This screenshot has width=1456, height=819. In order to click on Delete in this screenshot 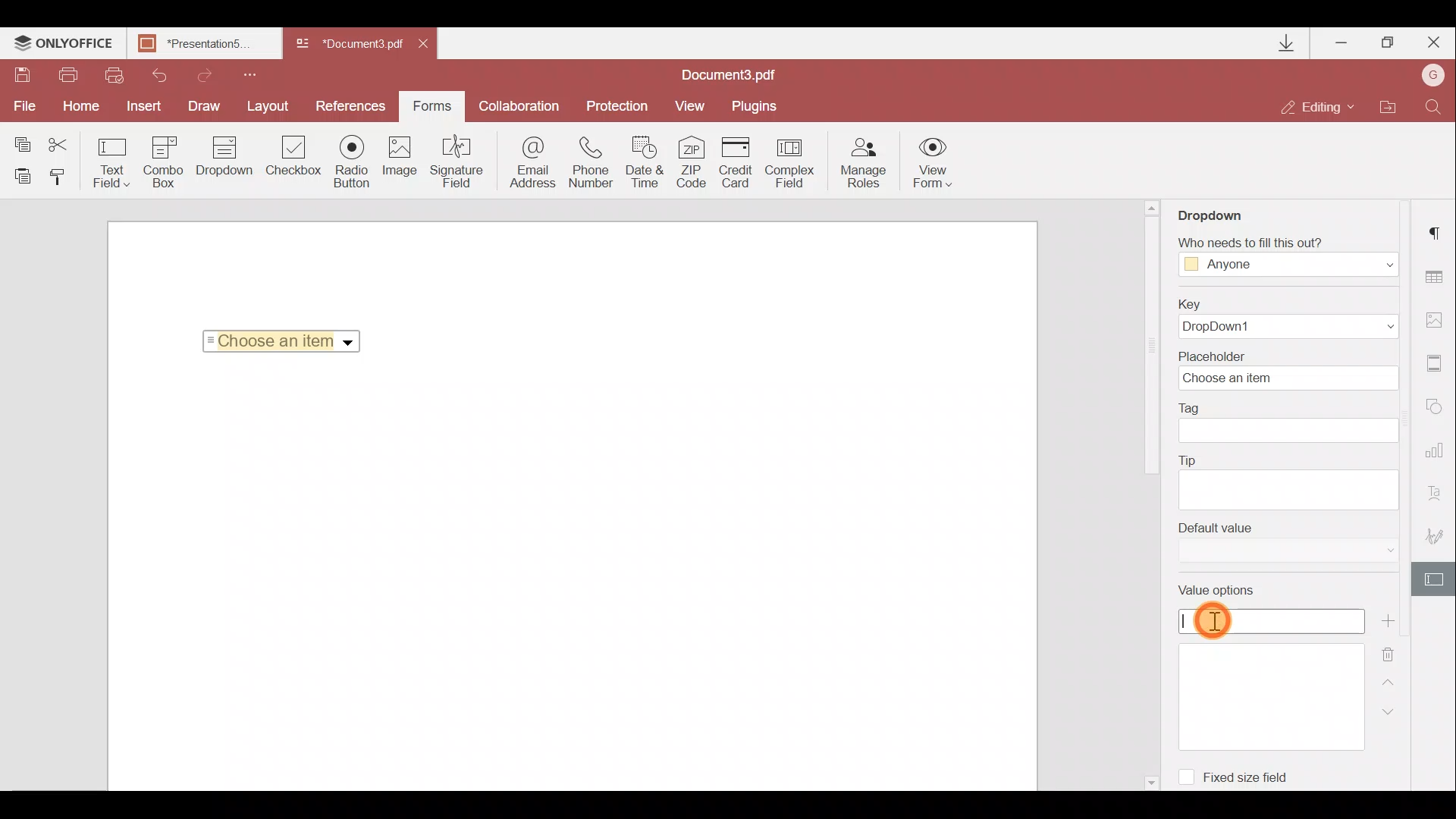, I will do `click(1398, 651)`.